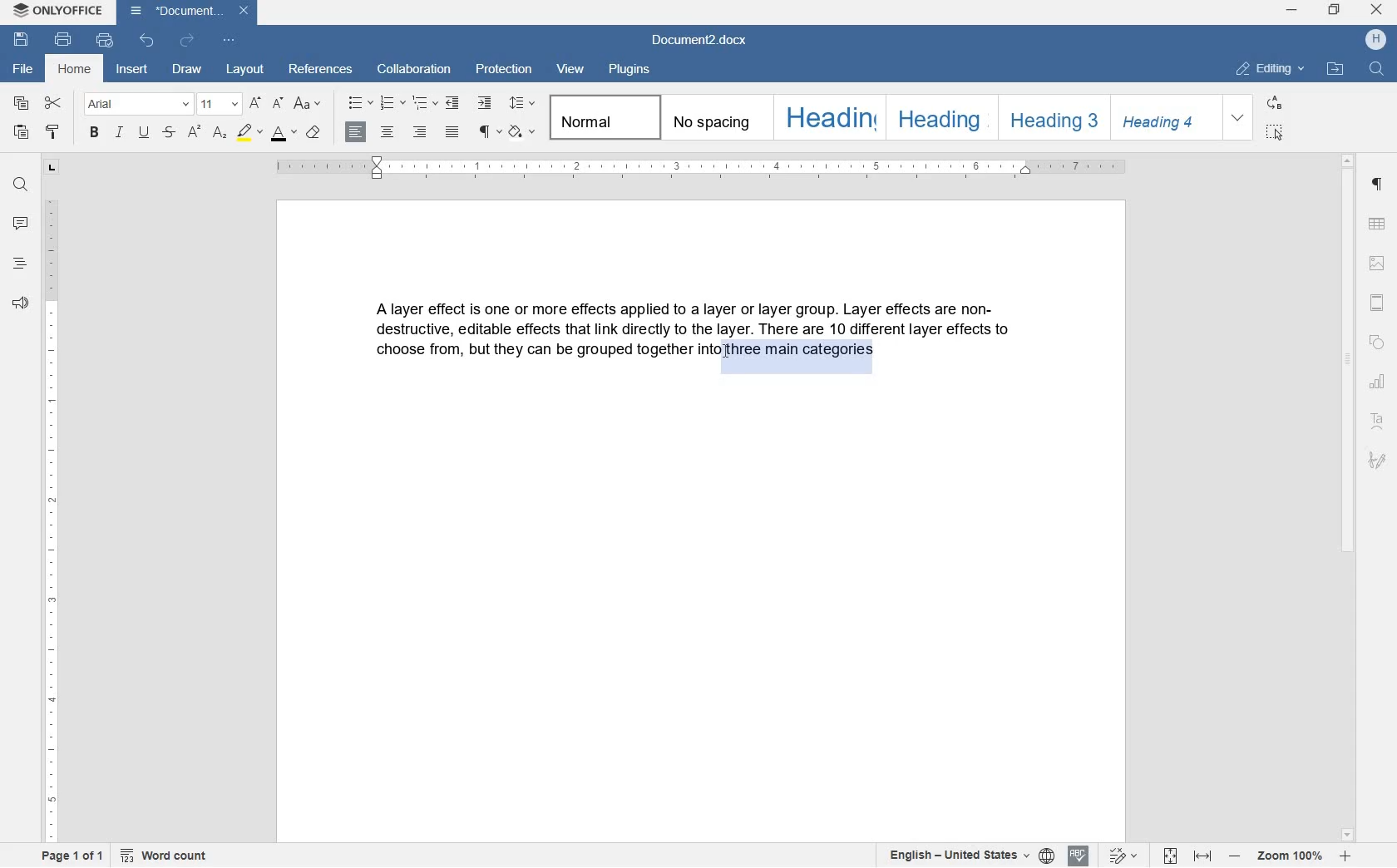 The image size is (1397, 868). What do you see at coordinates (1380, 343) in the screenshot?
I see `shape` at bounding box center [1380, 343].